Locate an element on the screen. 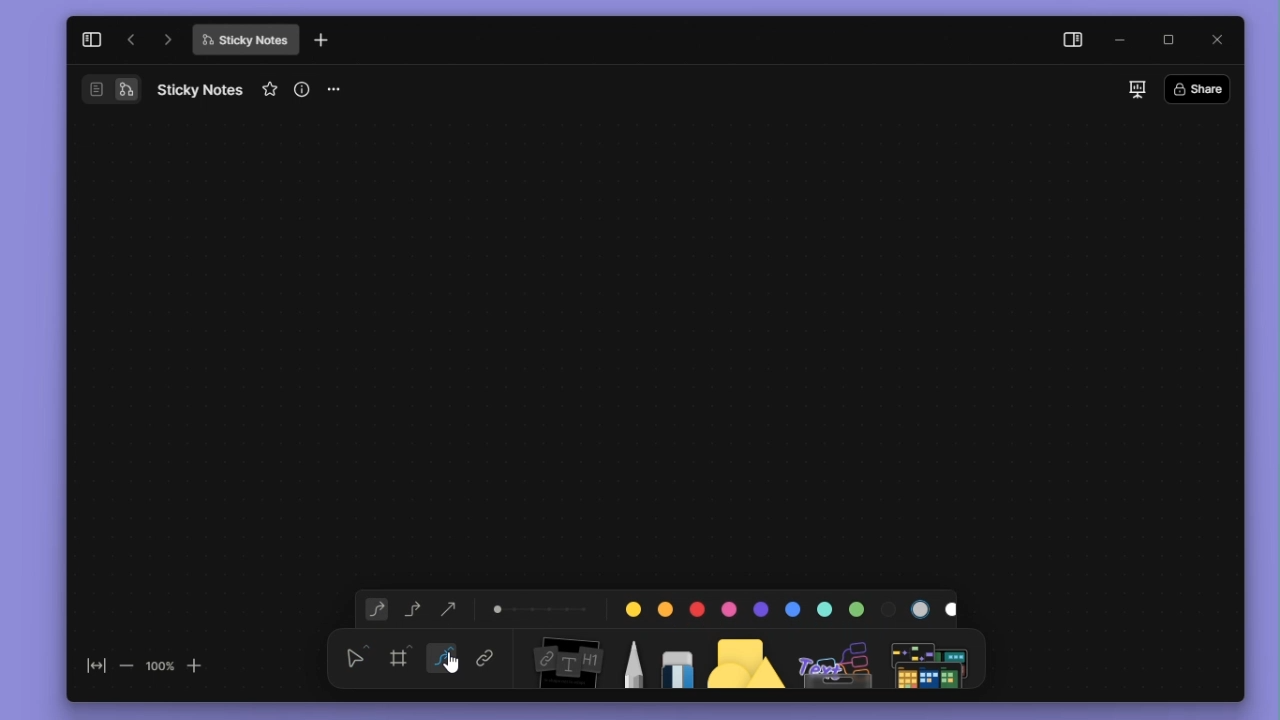  note is located at coordinates (565, 659).